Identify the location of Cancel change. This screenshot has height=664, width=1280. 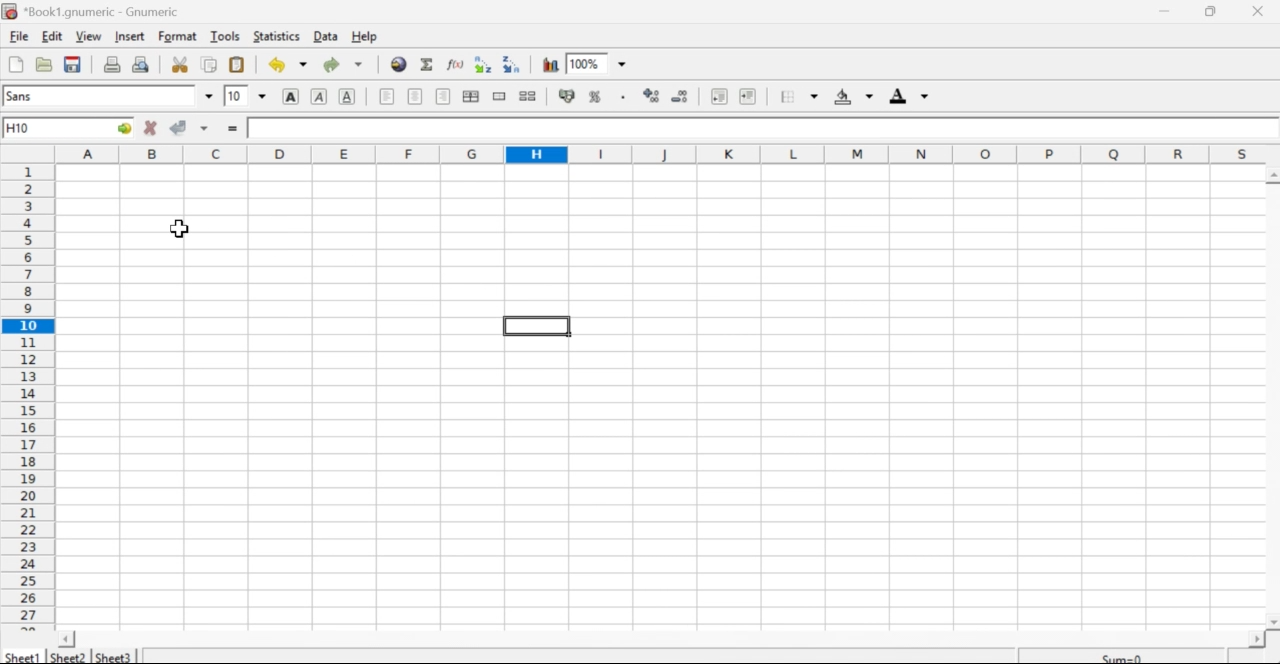
(150, 129).